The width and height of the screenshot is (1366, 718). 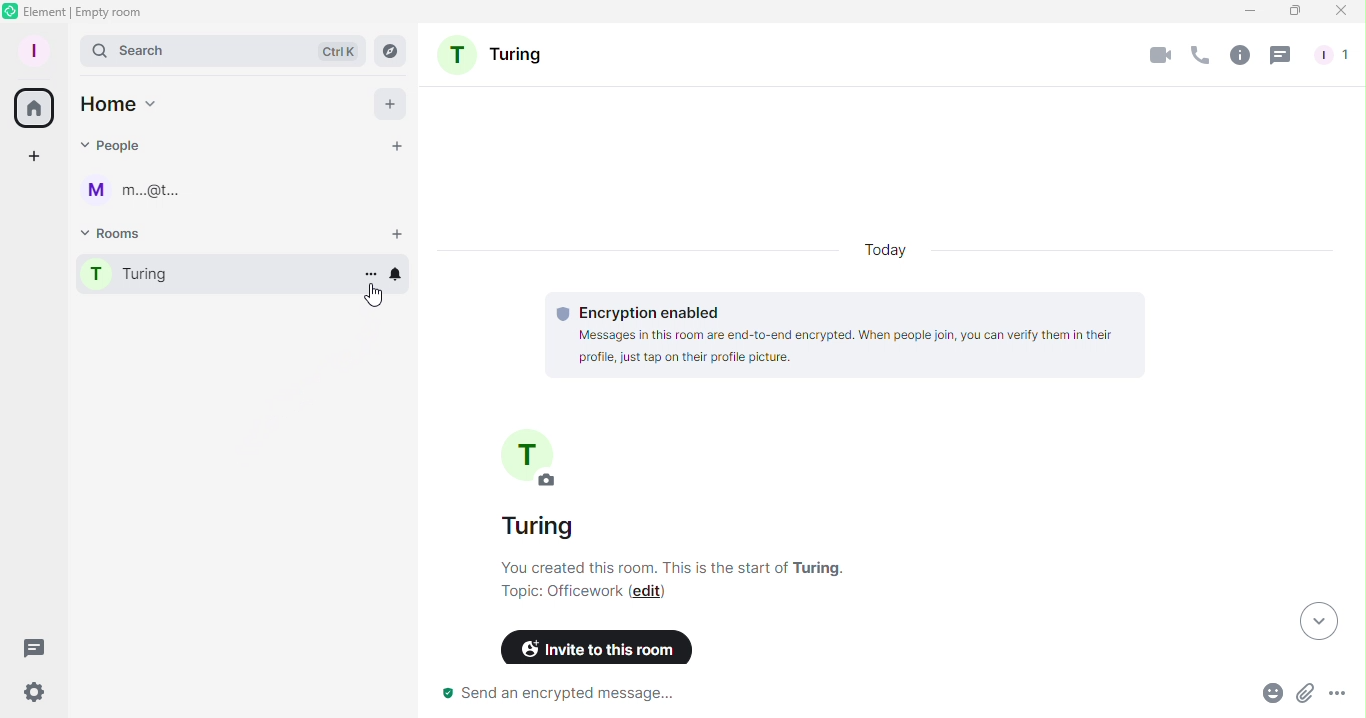 What do you see at coordinates (393, 103) in the screenshot?
I see `Add` at bounding box center [393, 103].